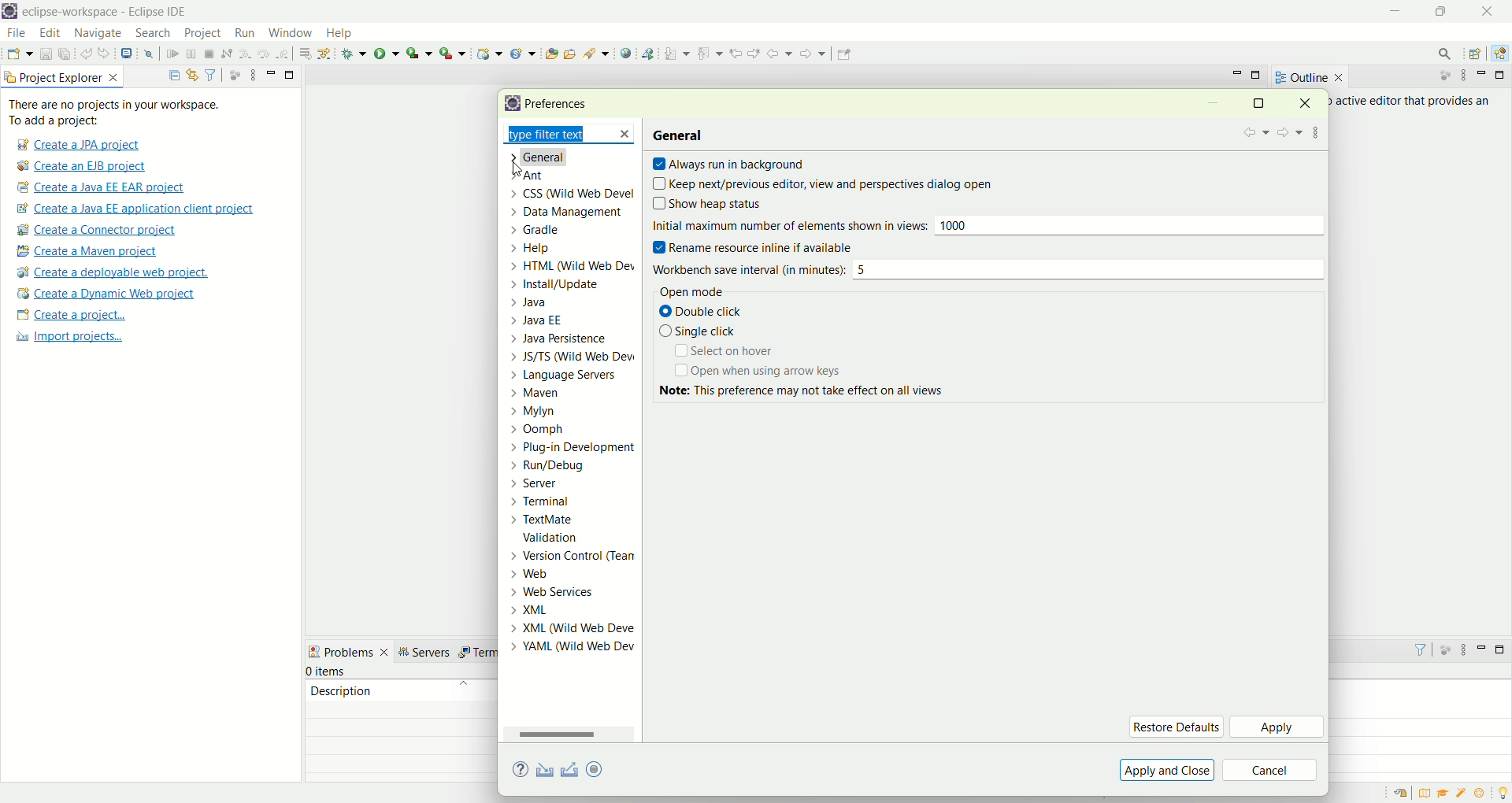 This screenshot has width=1512, height=803. I want to click on filter, so click(1414, 649).